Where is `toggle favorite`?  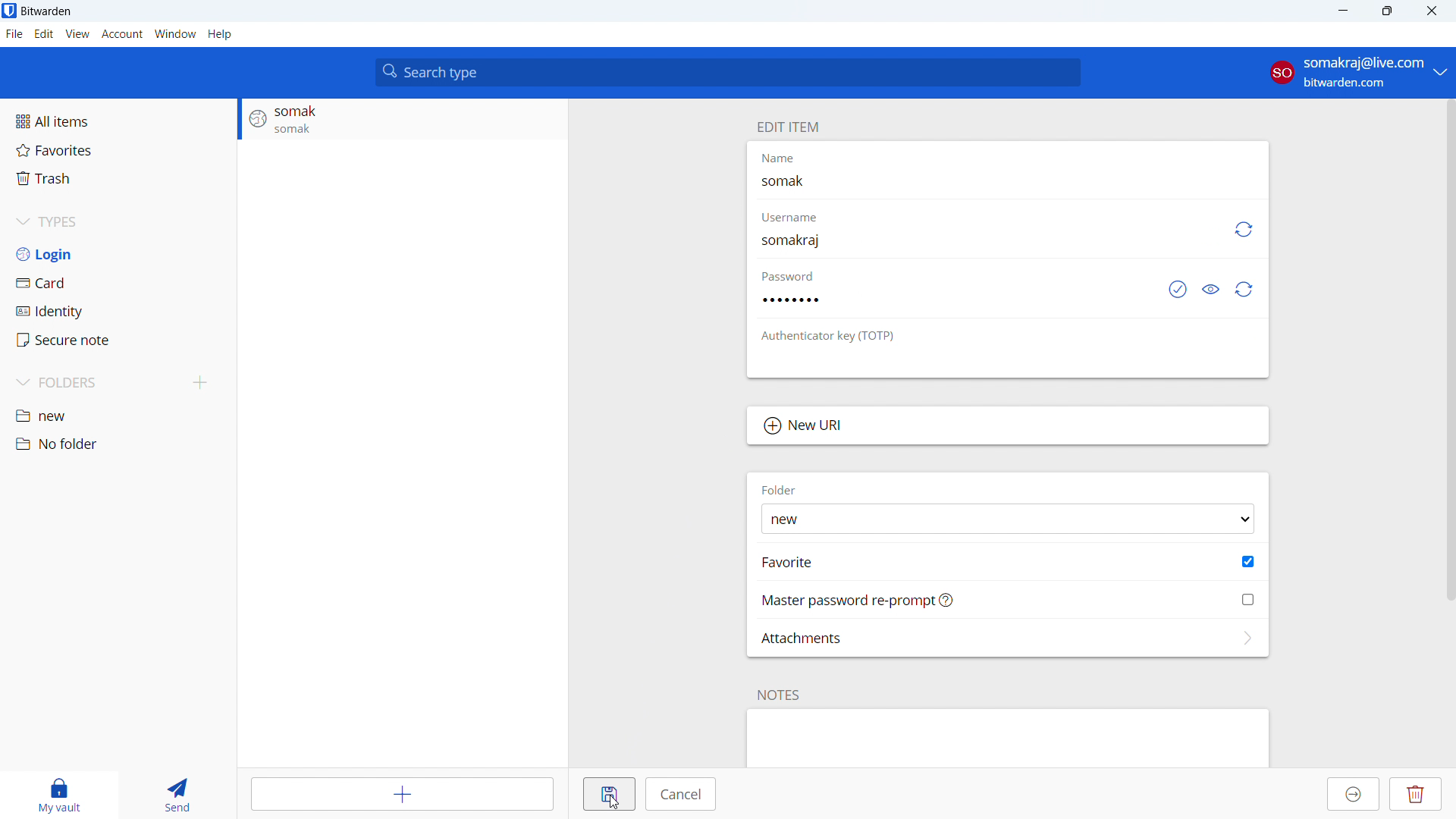 toggle favorite is located at coordinates (1248, 561).